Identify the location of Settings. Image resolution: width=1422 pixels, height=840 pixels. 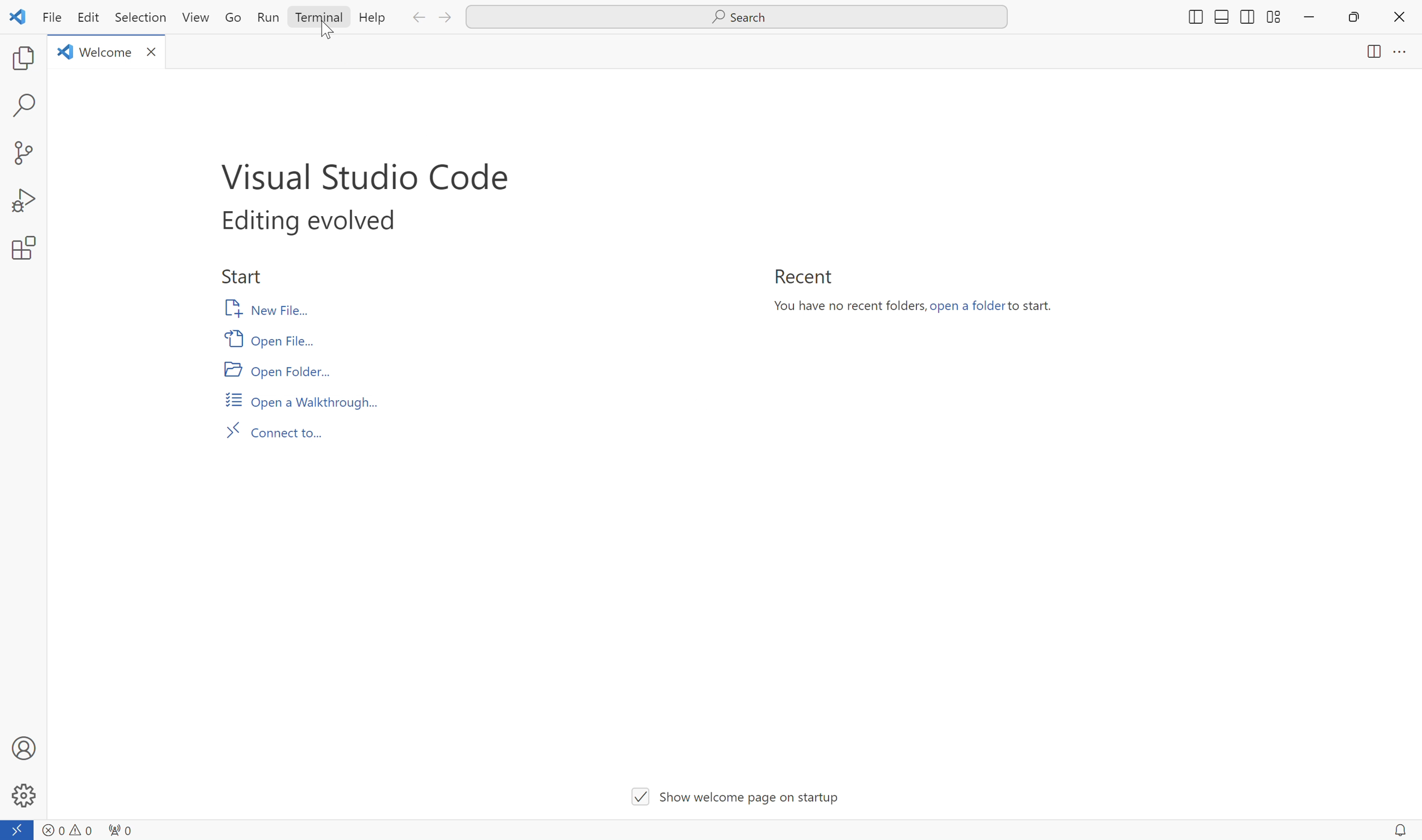
(23, 796).